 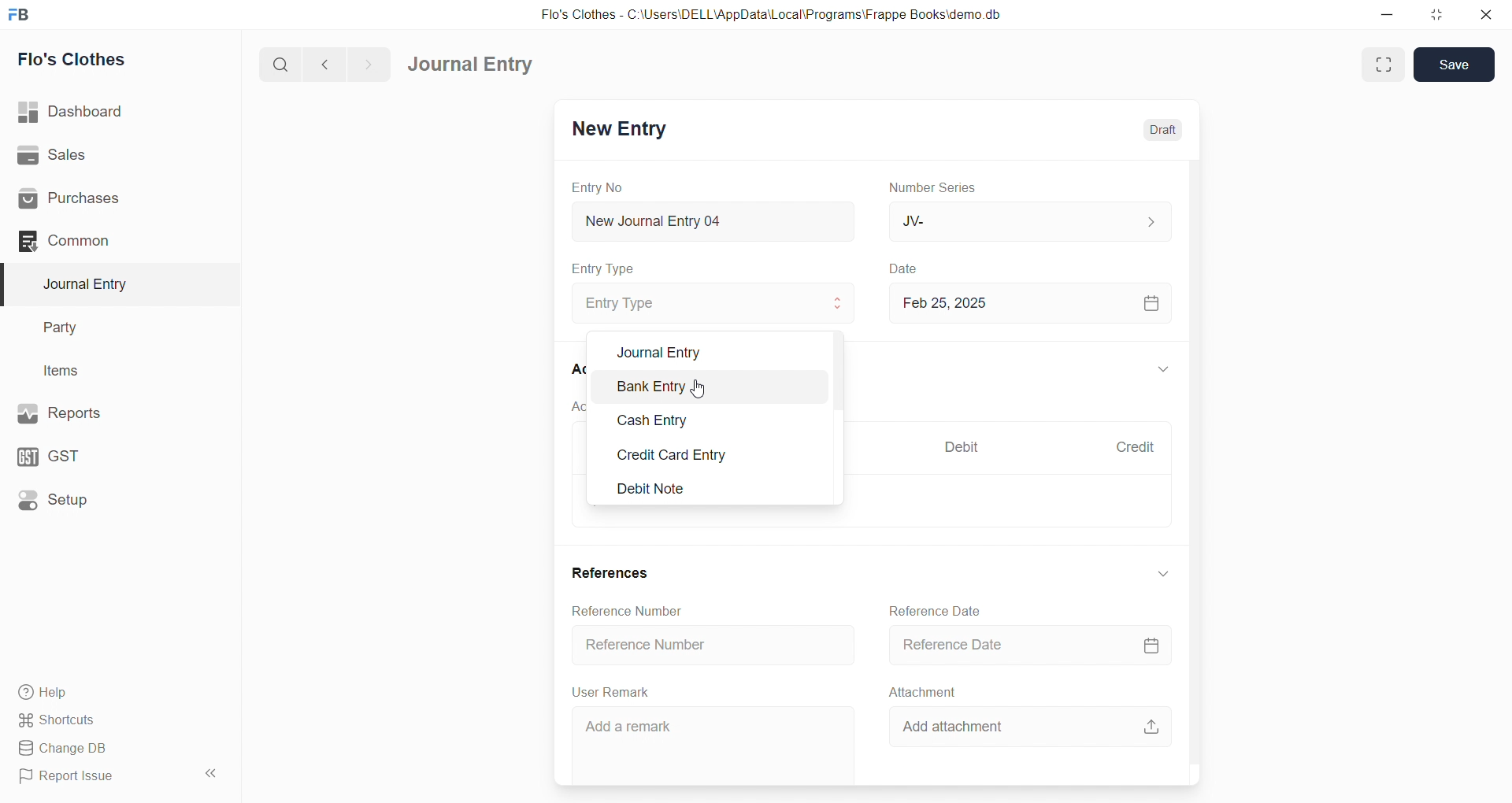 I want to click on navigate forward, so click(x=368, y=63).